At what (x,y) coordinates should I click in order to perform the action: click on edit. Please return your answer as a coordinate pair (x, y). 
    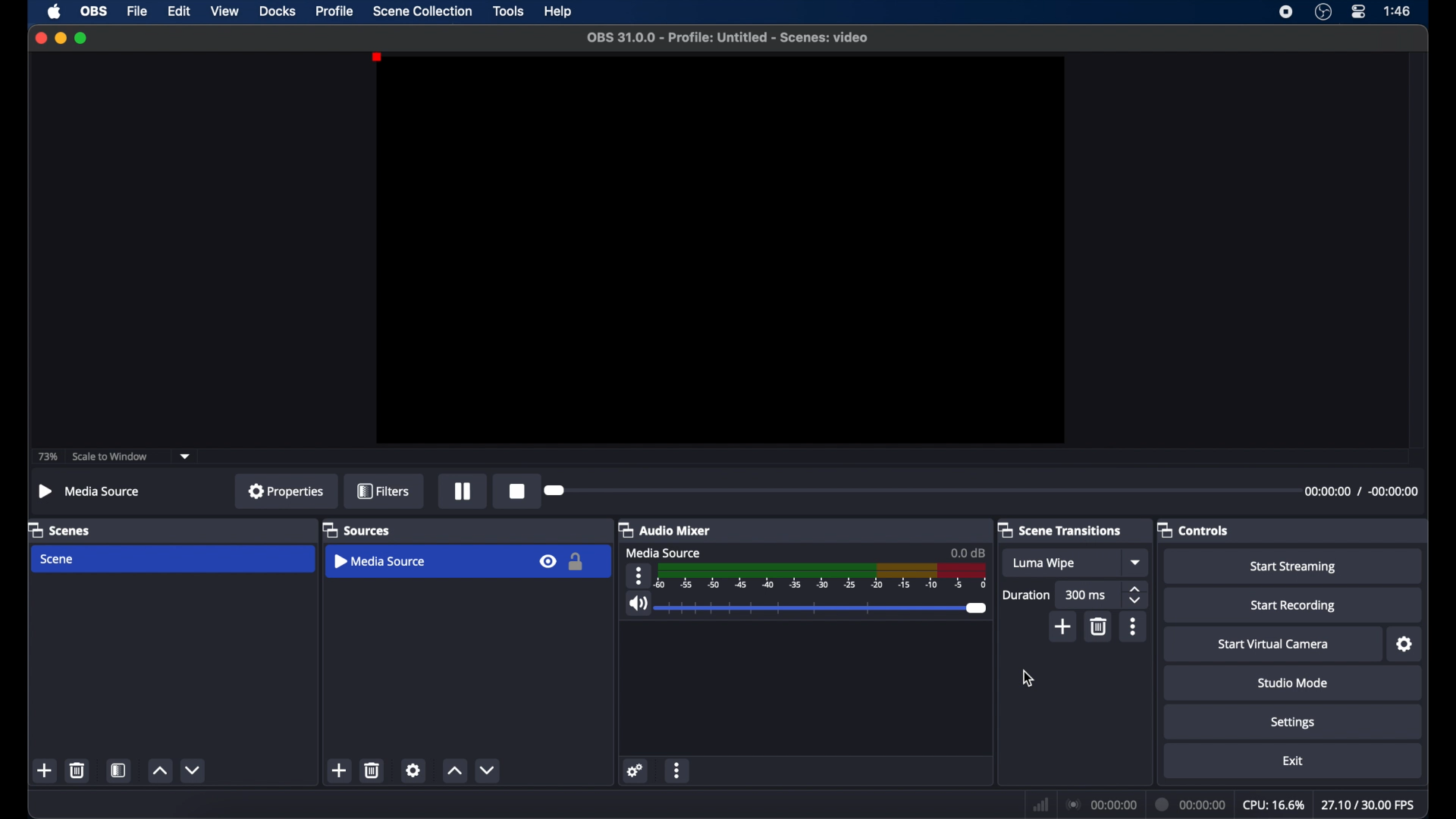
    Looking at the image, I should click on (178, 12).